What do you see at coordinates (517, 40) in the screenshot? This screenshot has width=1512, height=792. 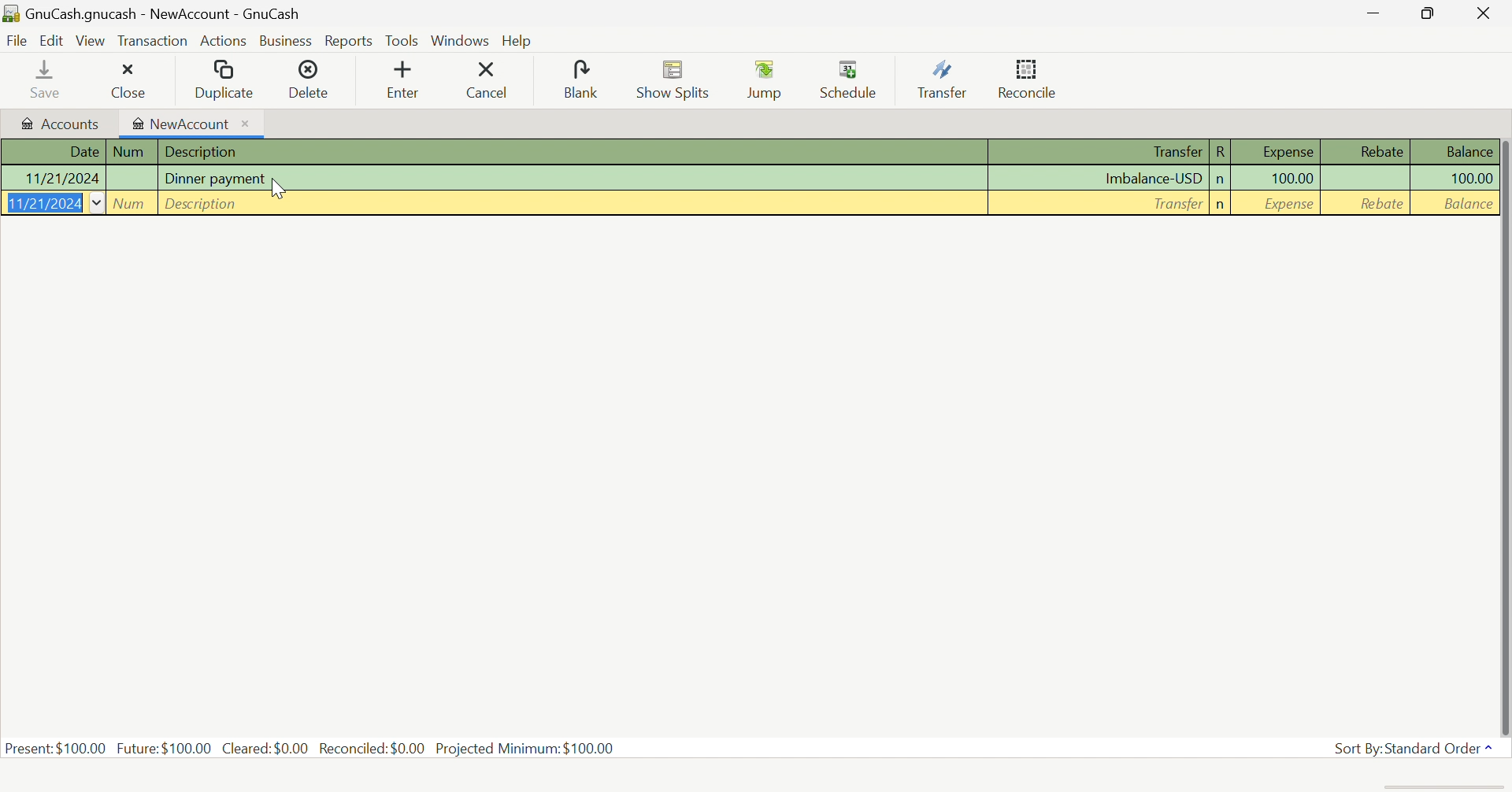 I see `Help` at bounding box center [517, 40].